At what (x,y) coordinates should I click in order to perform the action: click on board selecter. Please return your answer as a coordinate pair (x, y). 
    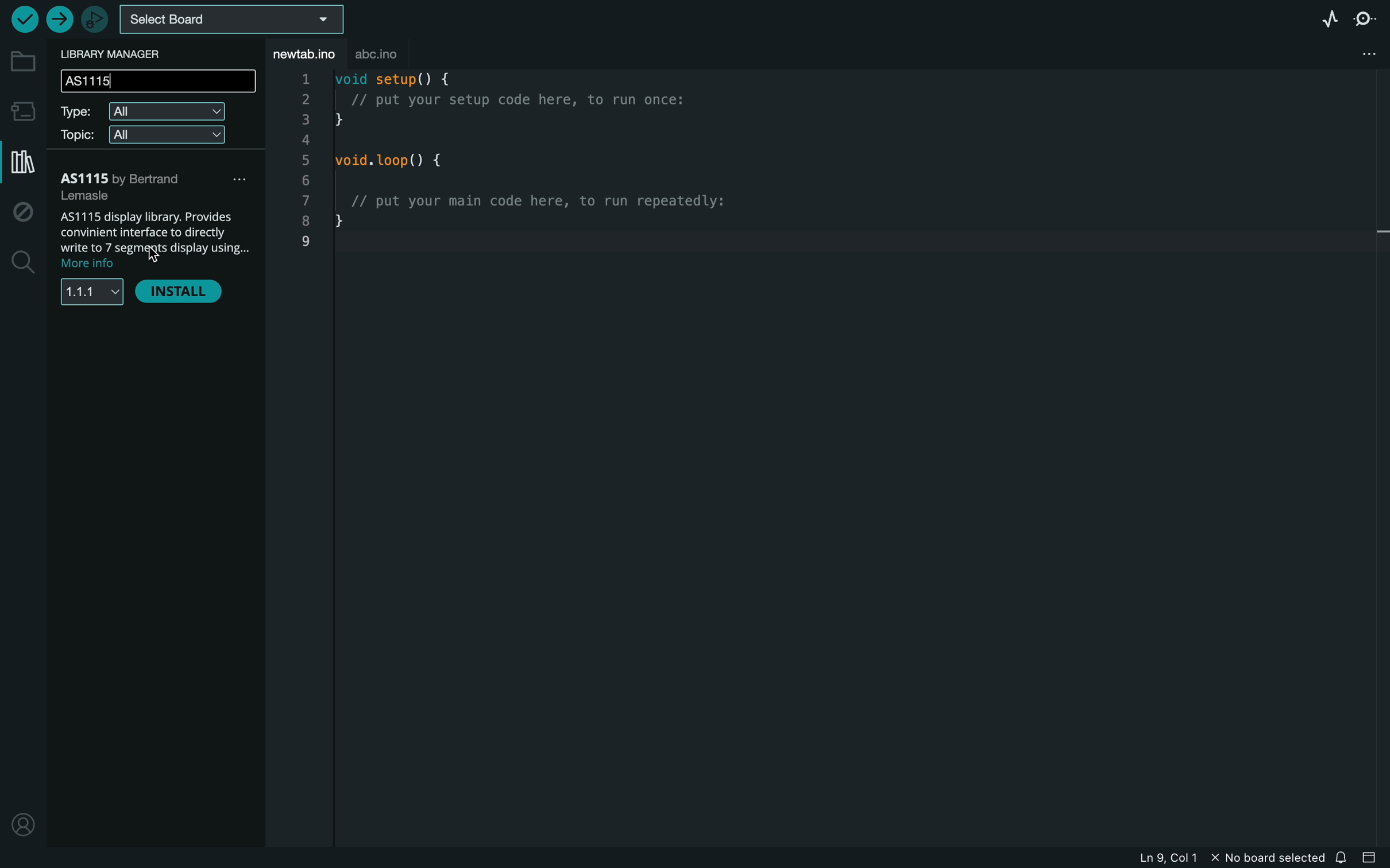
    Looking at the image, I should click on (231, 21).